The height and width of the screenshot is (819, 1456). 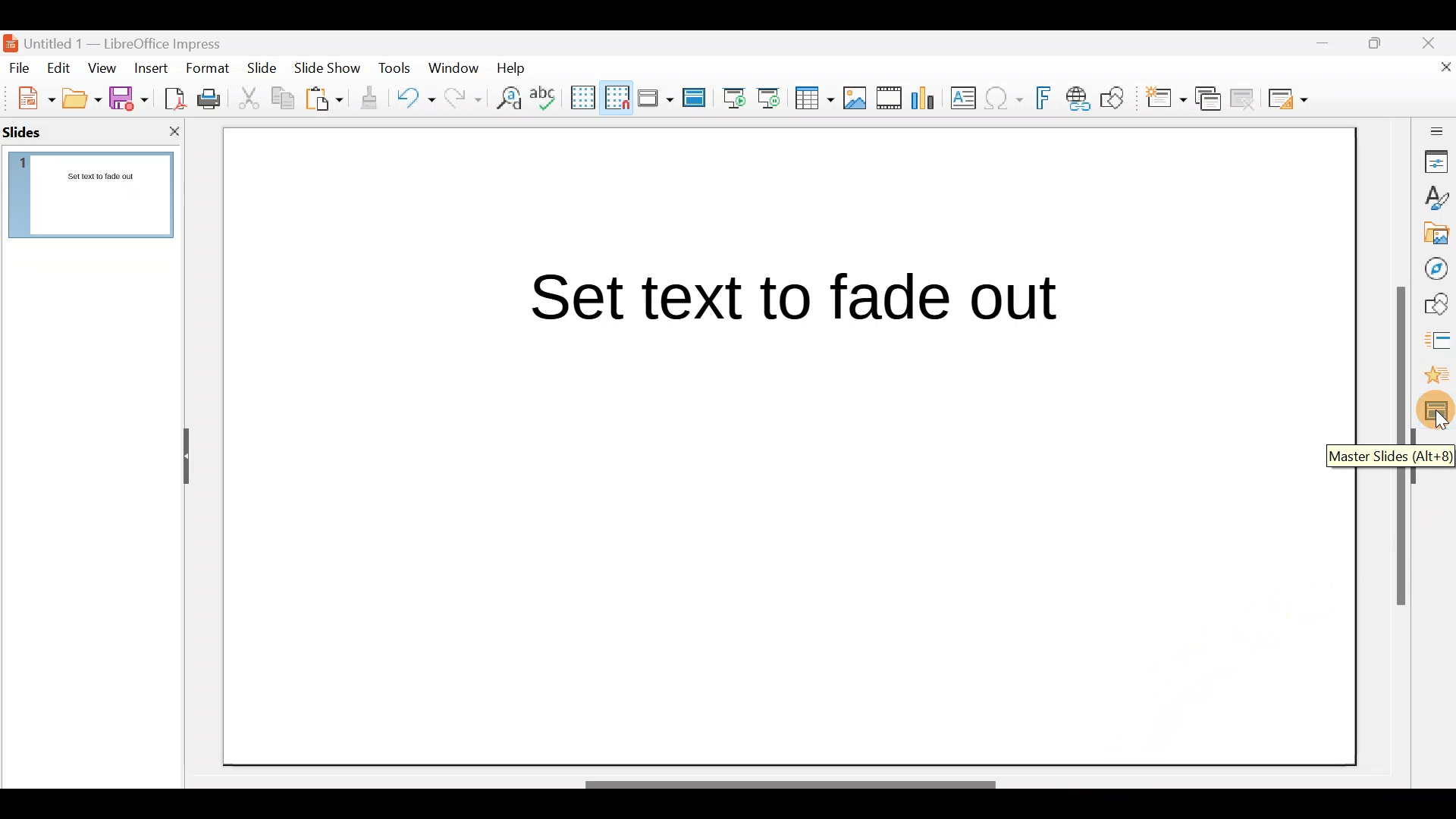 What do you see at coordinates (927, 99) in the screenshot?
I see `Insert chart` at bounding box center [927, 99].